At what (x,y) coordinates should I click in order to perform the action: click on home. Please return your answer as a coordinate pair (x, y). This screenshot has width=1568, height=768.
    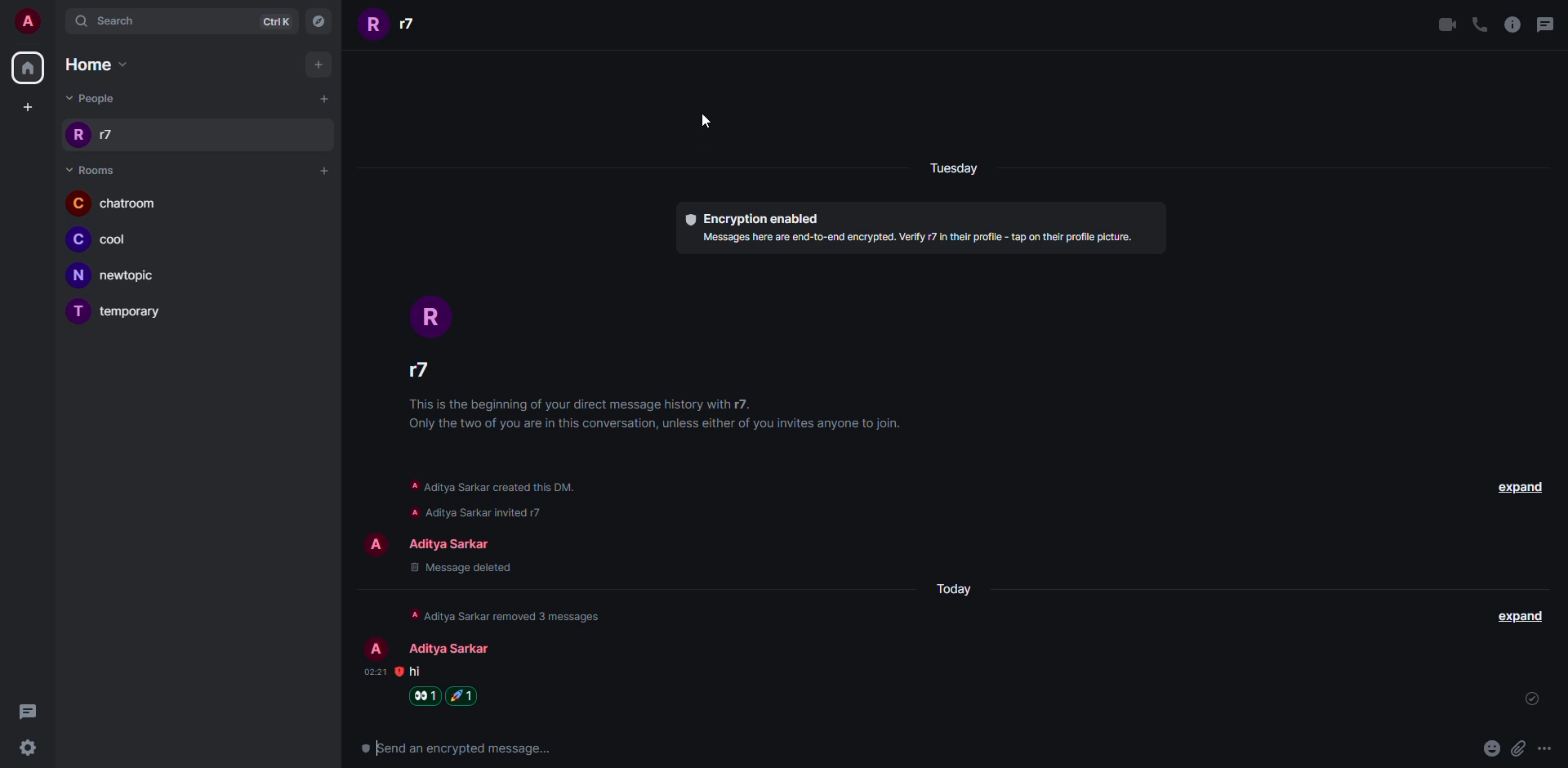
    Looking at the image, I should click on (105, 66).